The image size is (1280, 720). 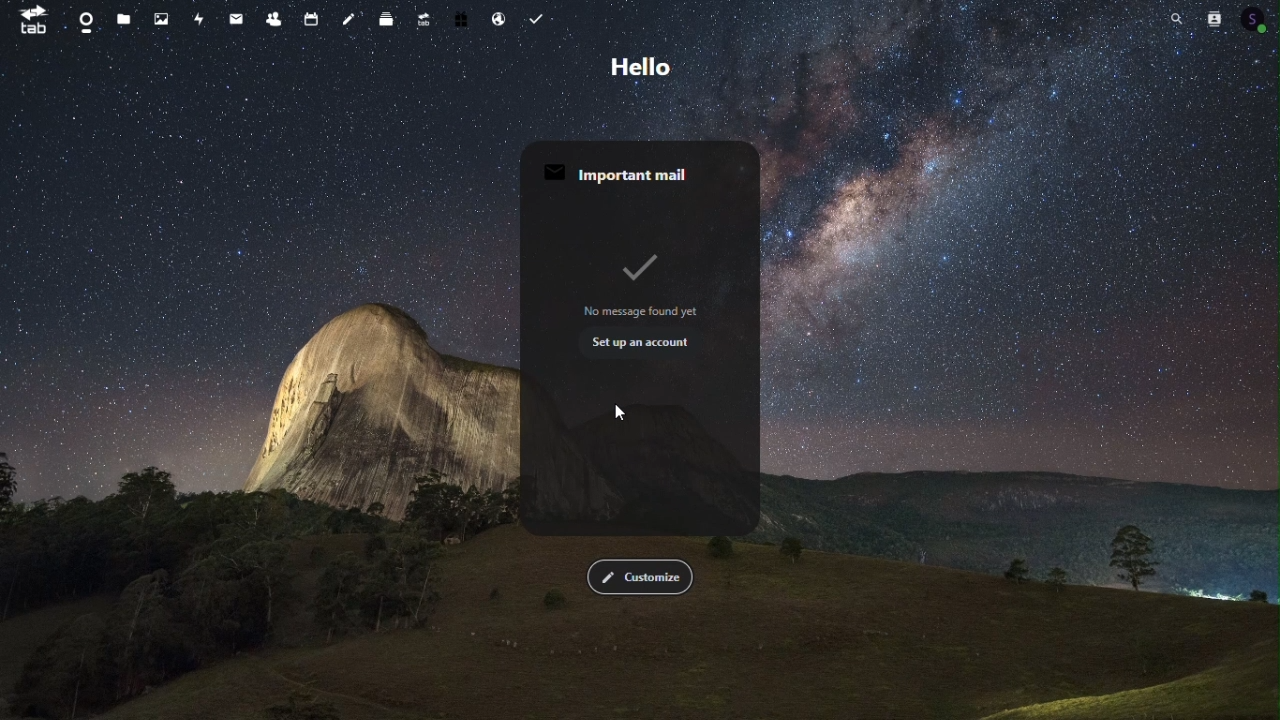 I want to click on Dashboard, so click(x=82, y=19).